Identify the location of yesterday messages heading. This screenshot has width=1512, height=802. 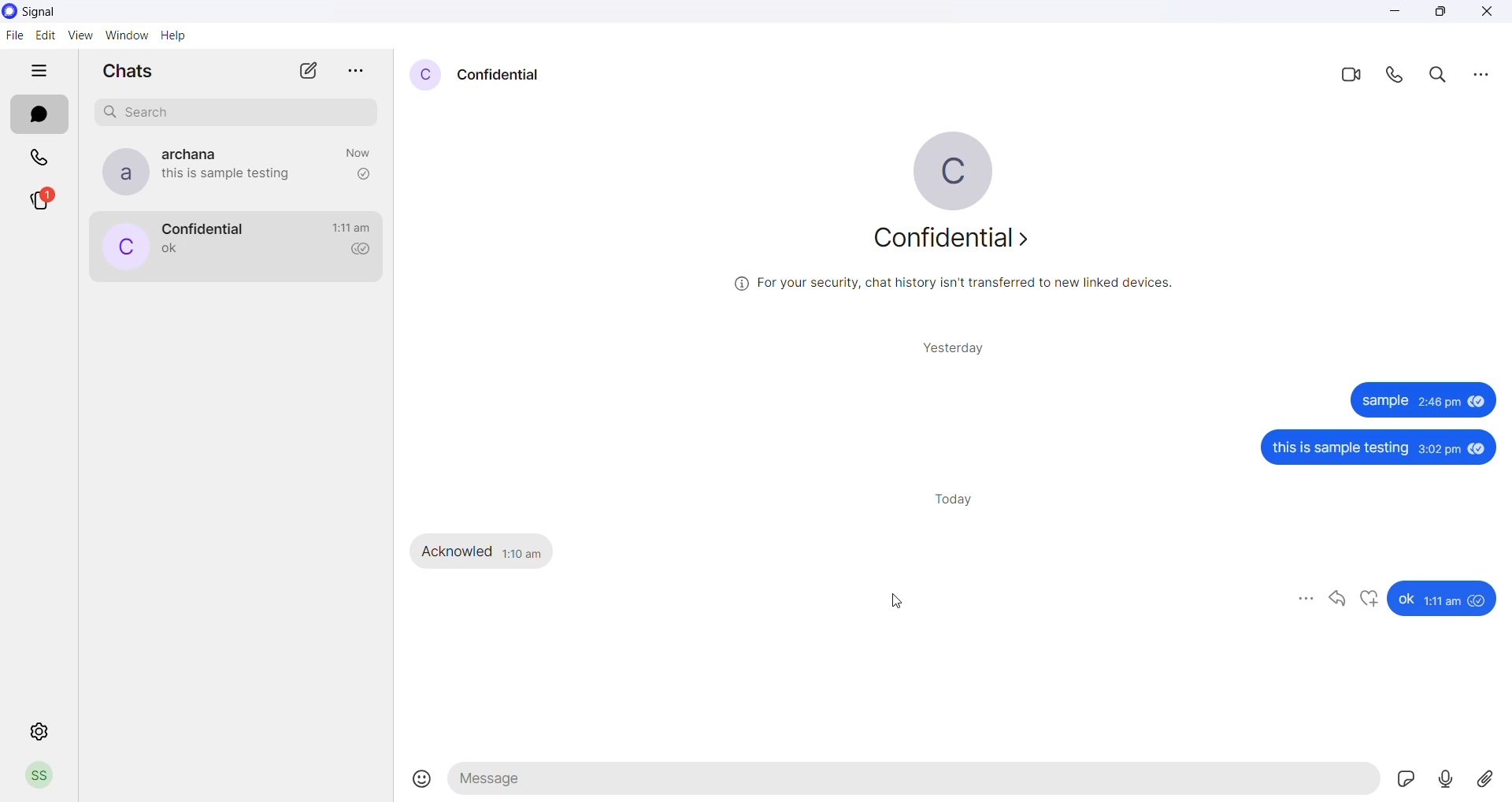
(956, 343).